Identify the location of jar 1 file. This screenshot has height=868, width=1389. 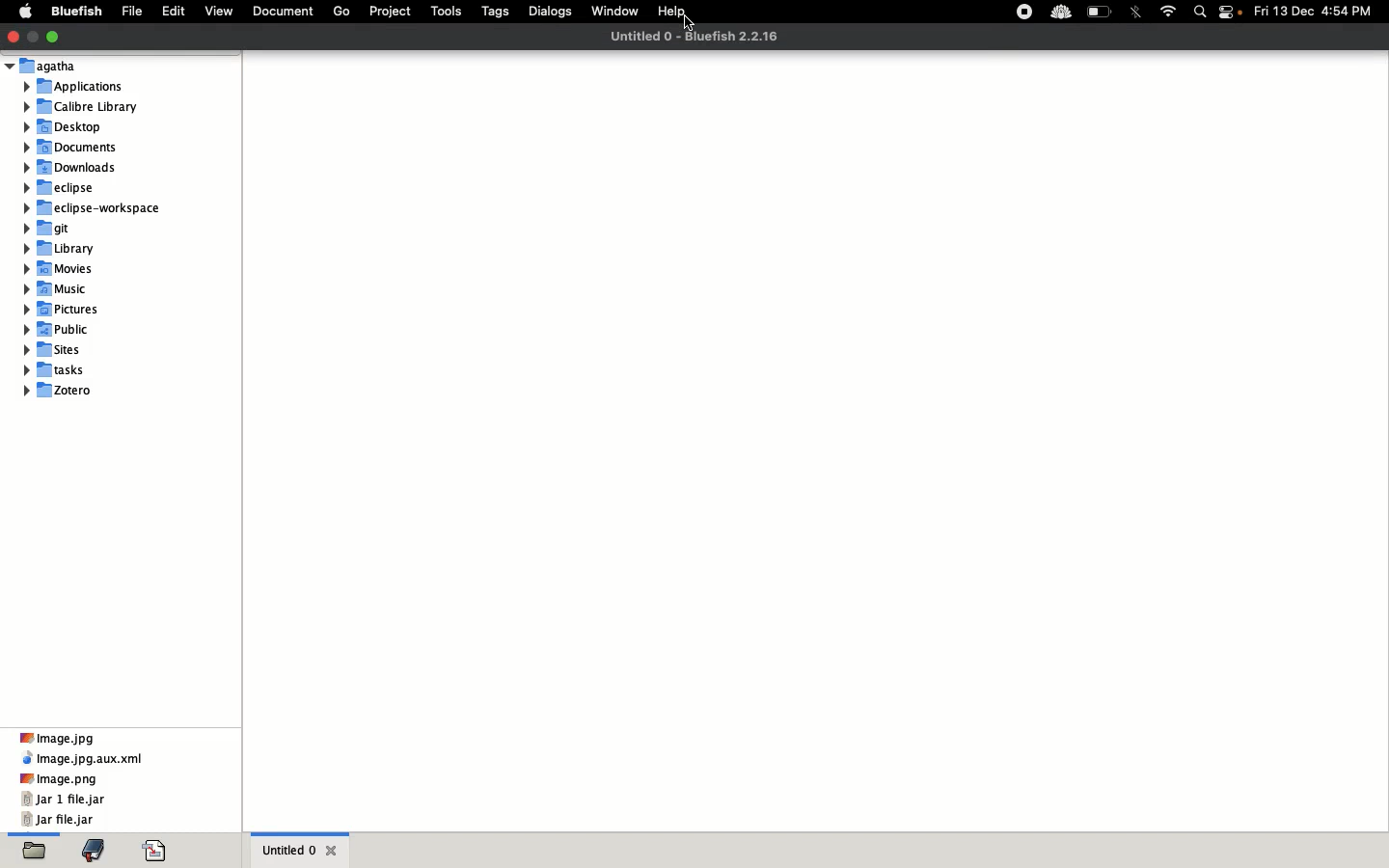
(65, 800).